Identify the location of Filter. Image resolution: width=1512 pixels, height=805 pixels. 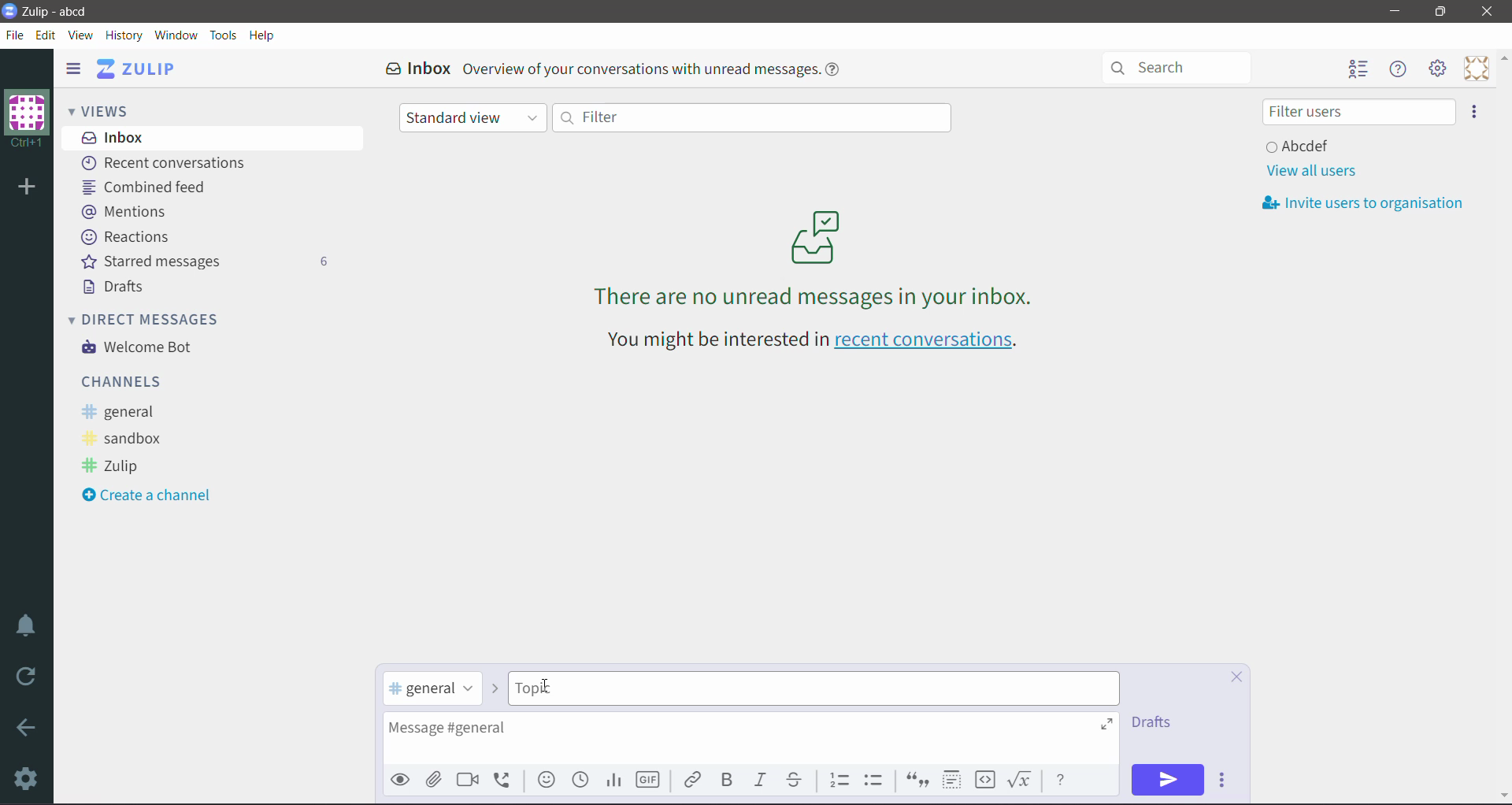
(750, 117).